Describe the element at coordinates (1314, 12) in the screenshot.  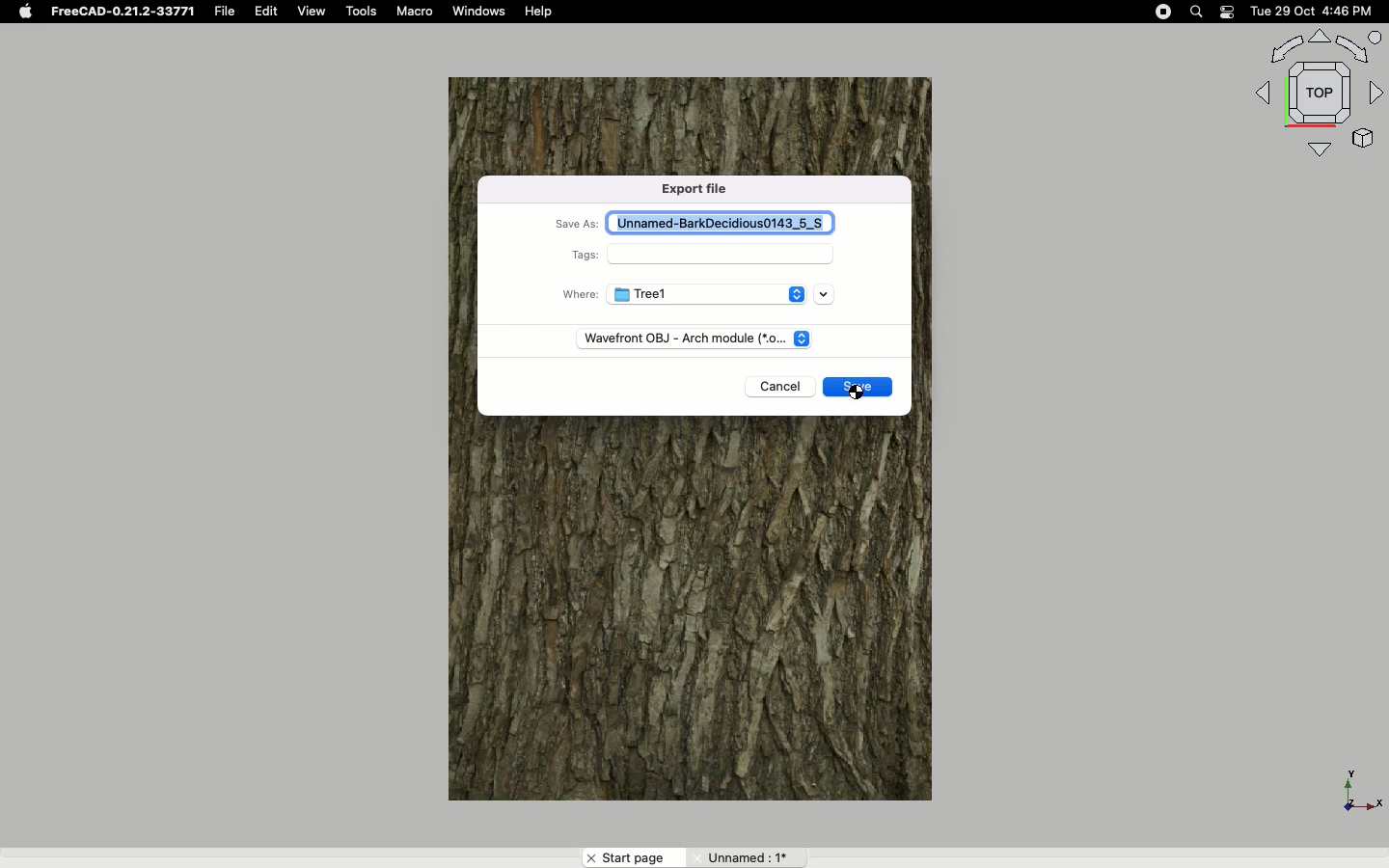
I see `Date/time` at that location.